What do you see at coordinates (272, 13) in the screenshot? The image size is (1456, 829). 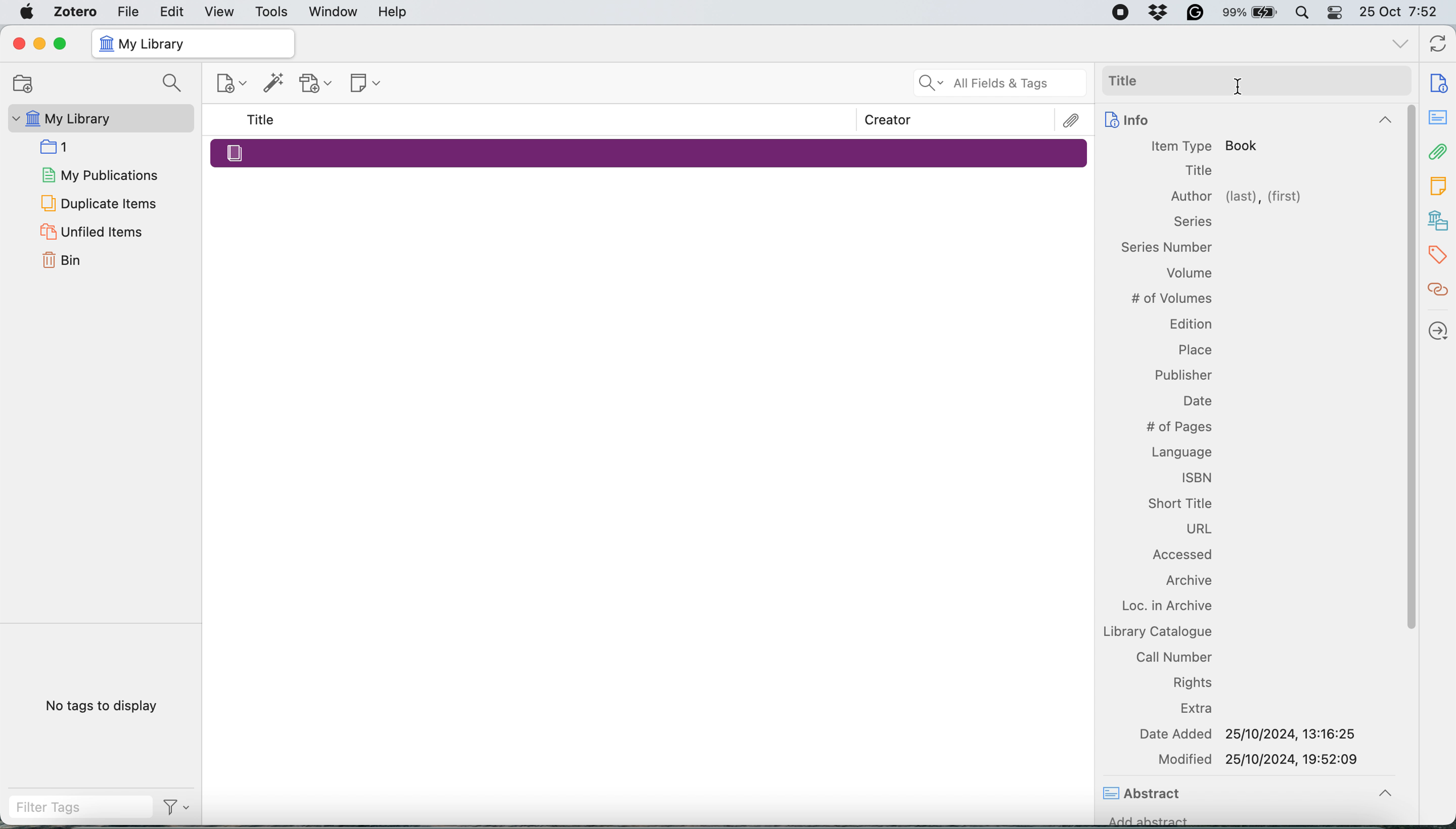 I see `Tools` at bounding box center [272, 13].